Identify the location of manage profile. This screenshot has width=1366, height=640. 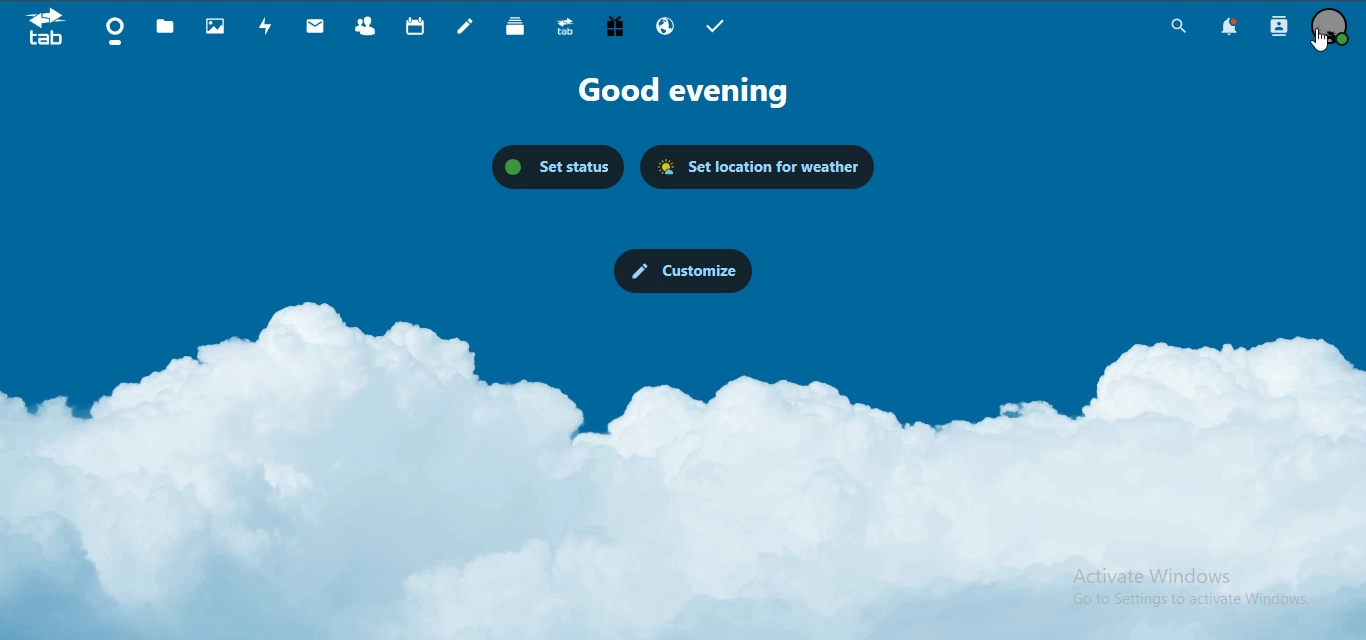
(1332, 28).